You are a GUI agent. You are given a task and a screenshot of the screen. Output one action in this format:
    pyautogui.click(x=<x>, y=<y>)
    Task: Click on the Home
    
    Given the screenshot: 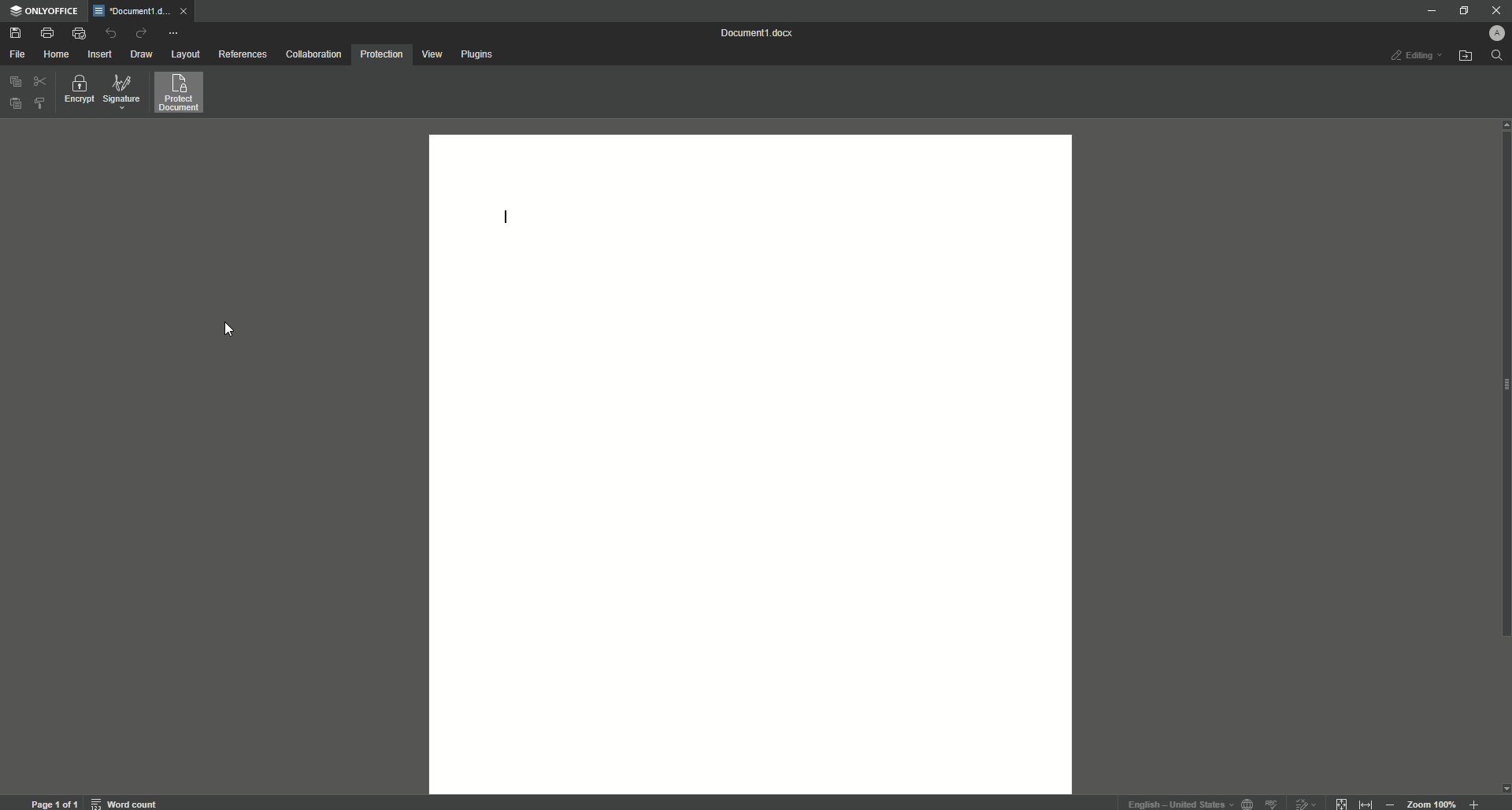 What is the action you would take?
    pyautogui.click(x=56, y=54)
    